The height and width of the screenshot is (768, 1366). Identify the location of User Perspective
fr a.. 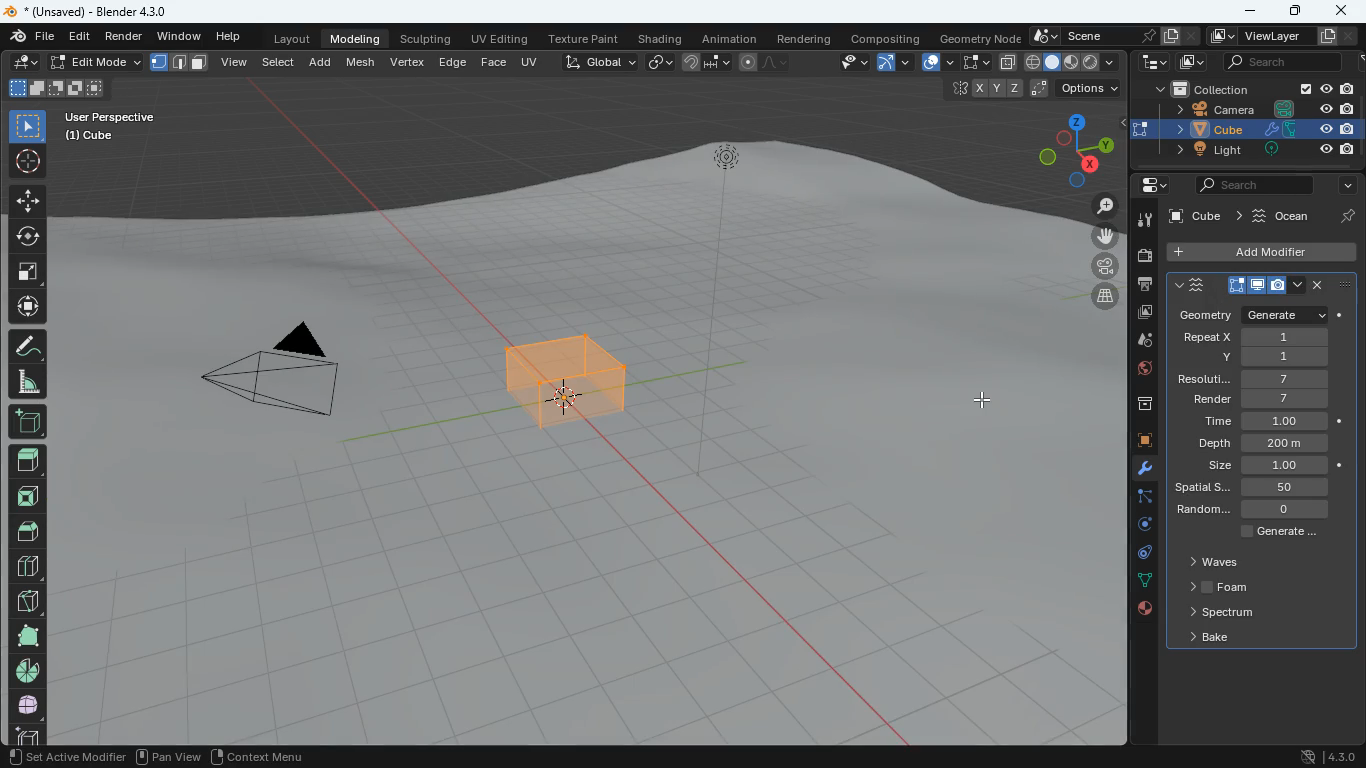
(110, 125).